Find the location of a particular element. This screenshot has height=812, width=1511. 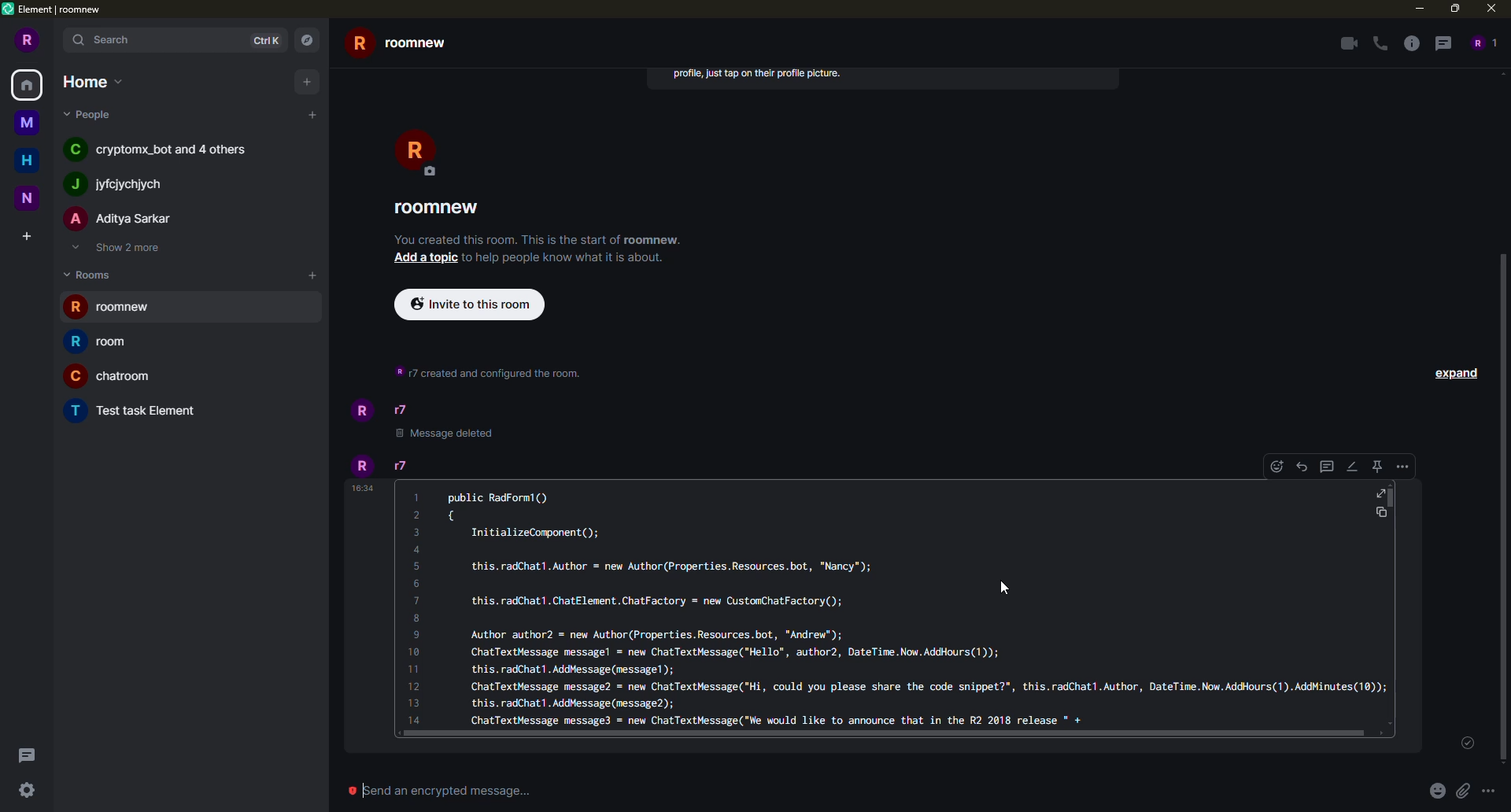

emoji is located at coordinates (1436, 790).